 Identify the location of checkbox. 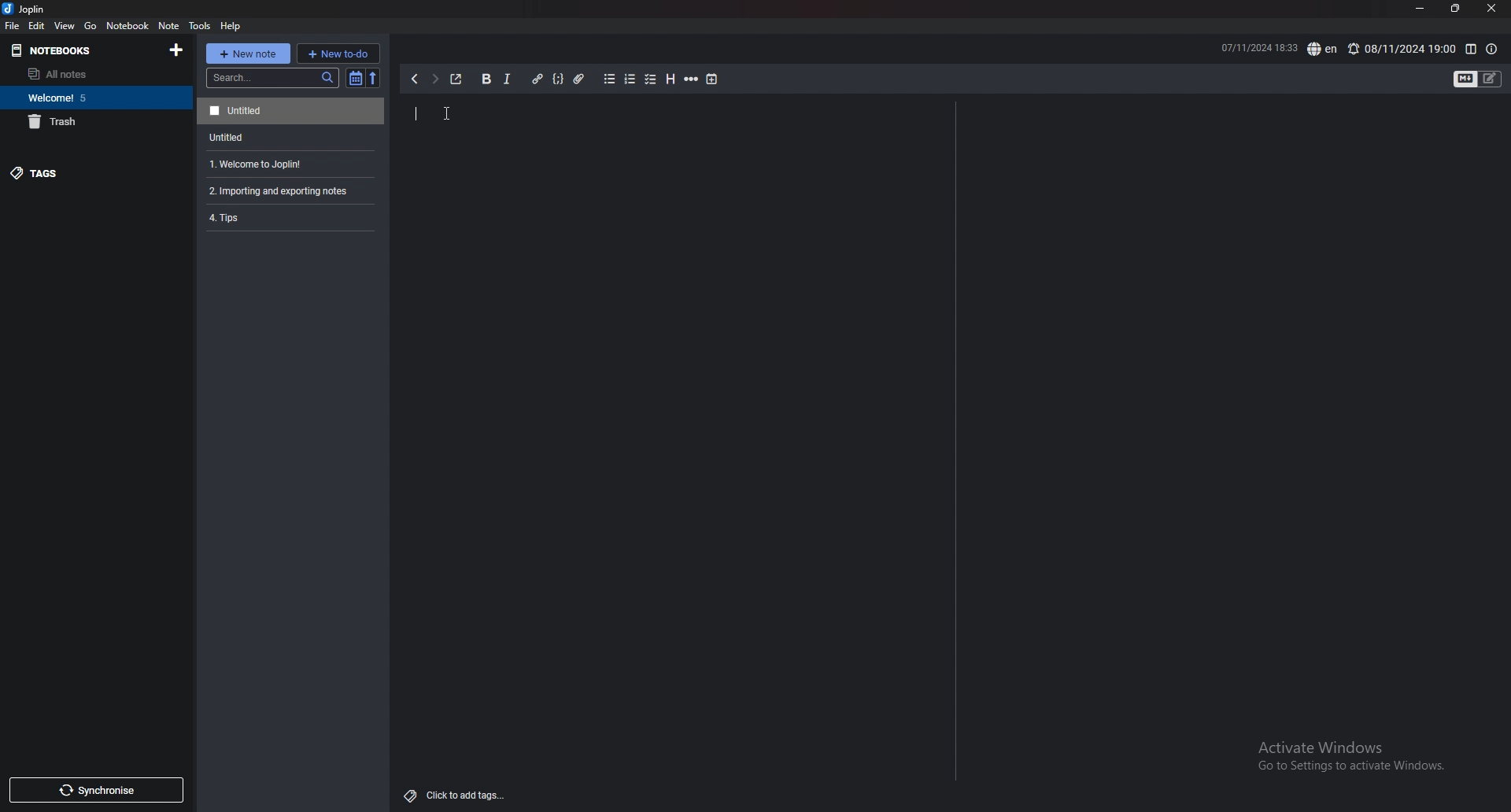
(651, 79).